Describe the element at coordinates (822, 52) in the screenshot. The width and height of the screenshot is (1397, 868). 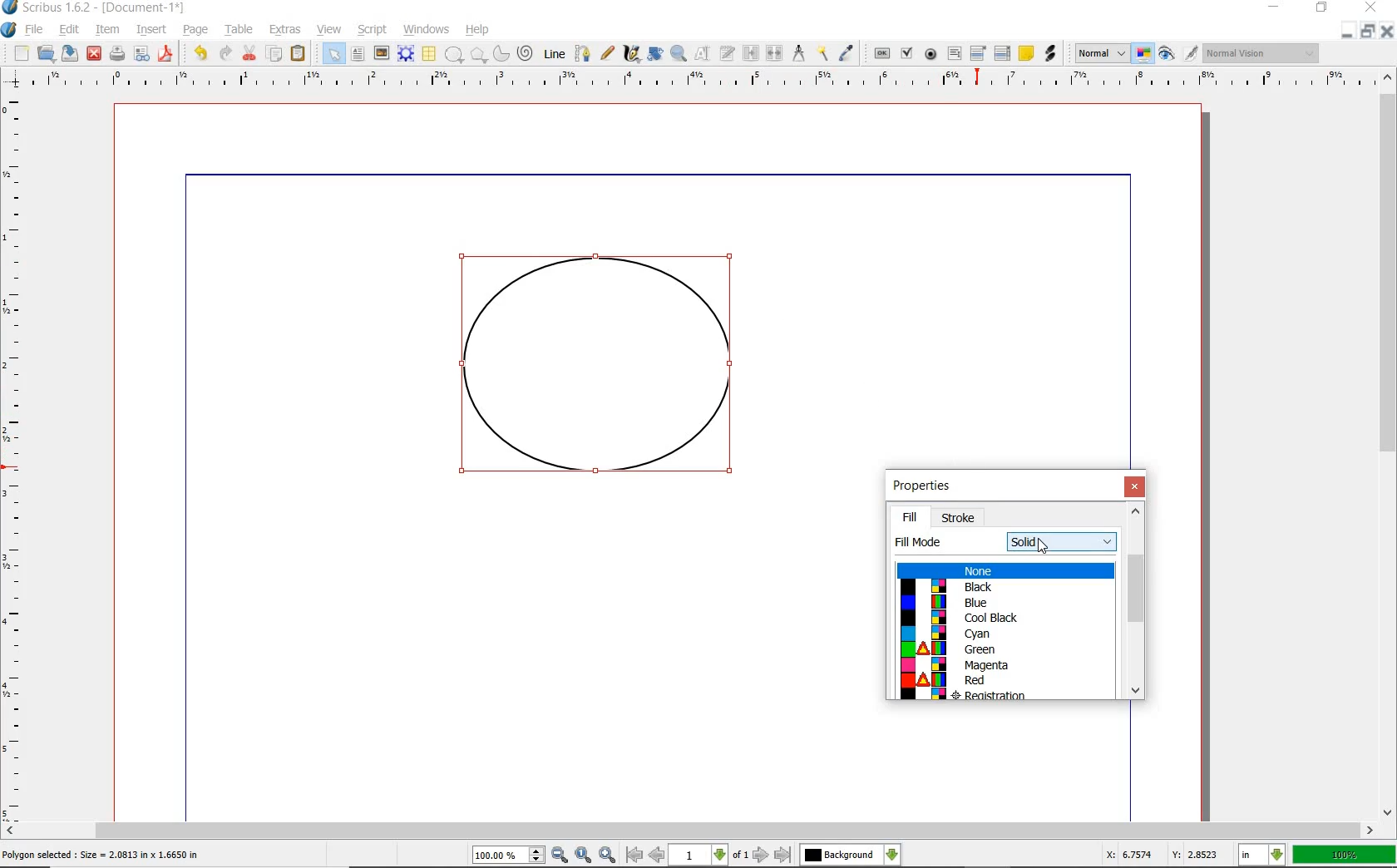
I see `COPY ITEM PROPERTIES` at that location.